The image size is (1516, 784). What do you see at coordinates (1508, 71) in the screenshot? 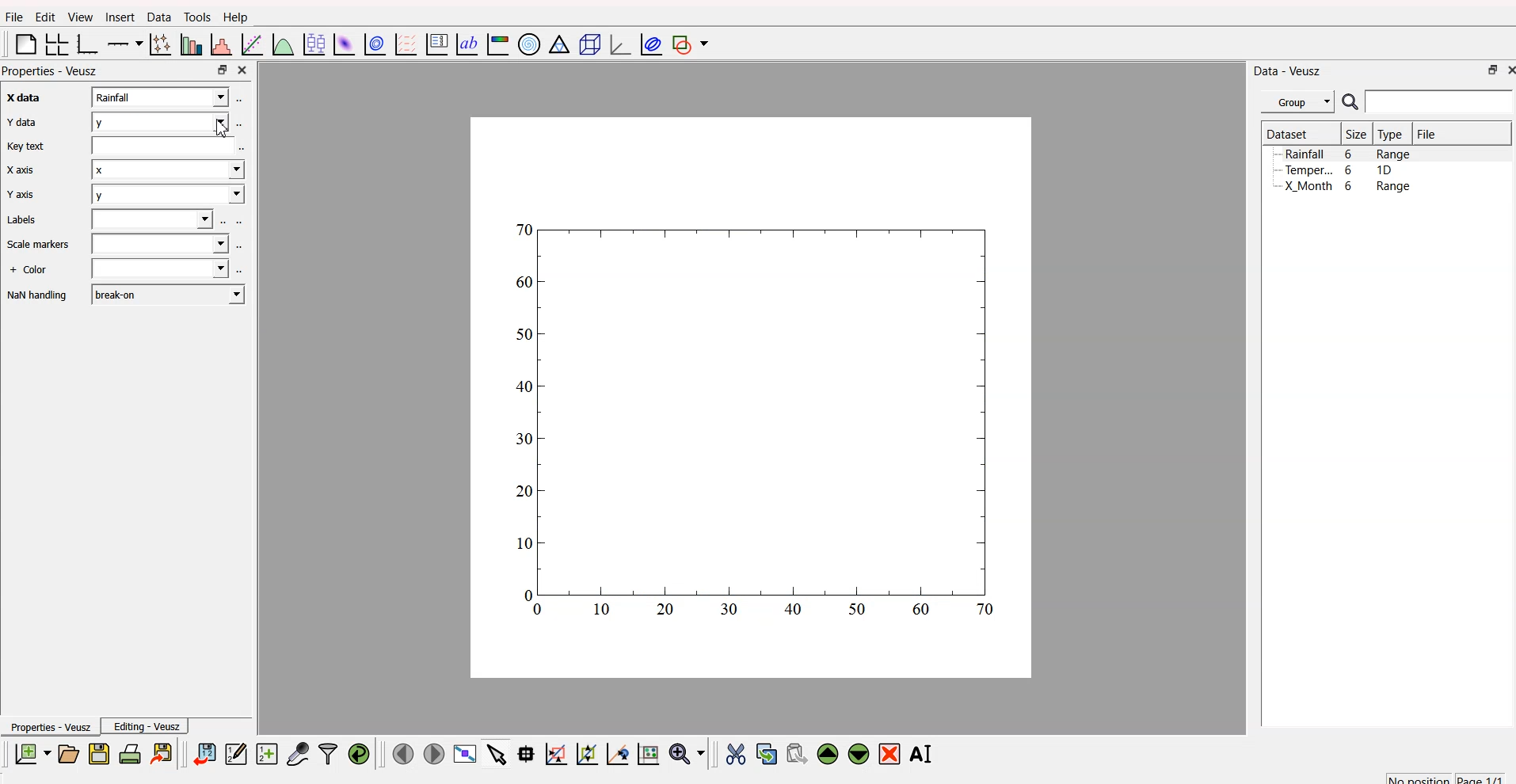
I see `close` at bounding box center [1508, 71].